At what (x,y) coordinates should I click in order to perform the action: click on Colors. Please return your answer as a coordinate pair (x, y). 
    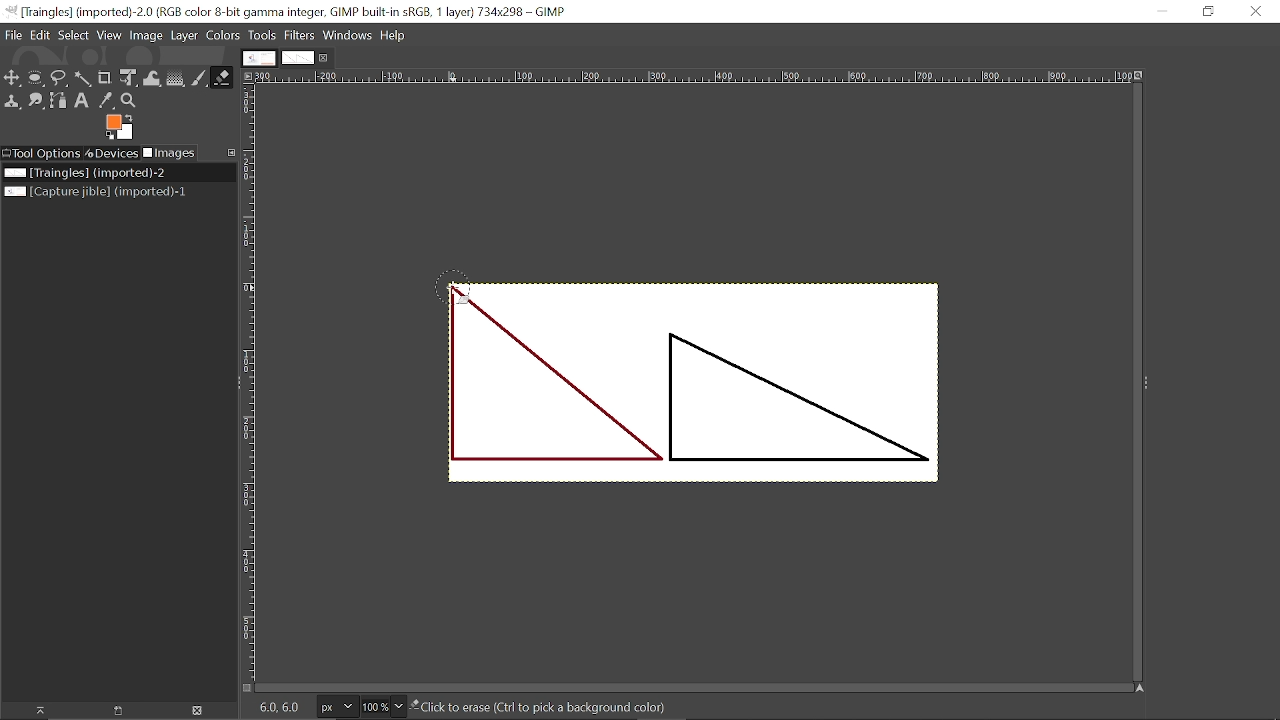
    Looking at the image, I should click on (222, 35).